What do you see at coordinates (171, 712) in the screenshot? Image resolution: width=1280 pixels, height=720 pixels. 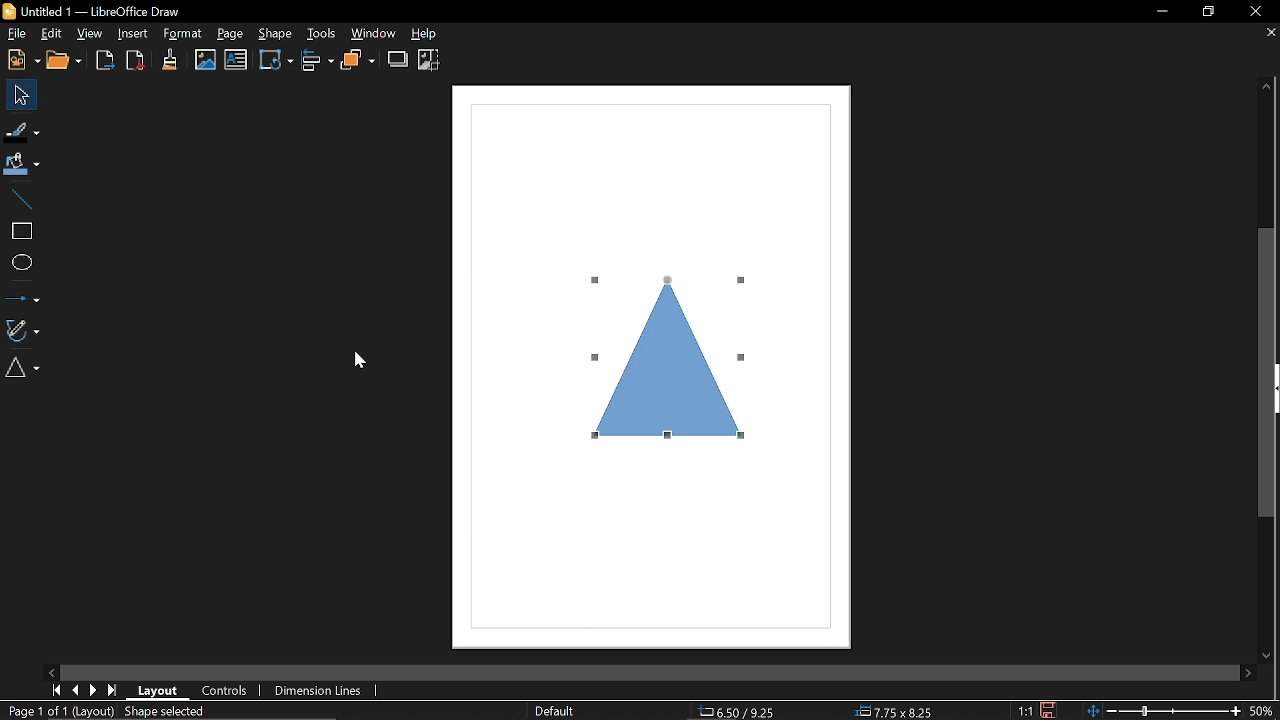 I see `shape selected` at bounding box center [171, 712].